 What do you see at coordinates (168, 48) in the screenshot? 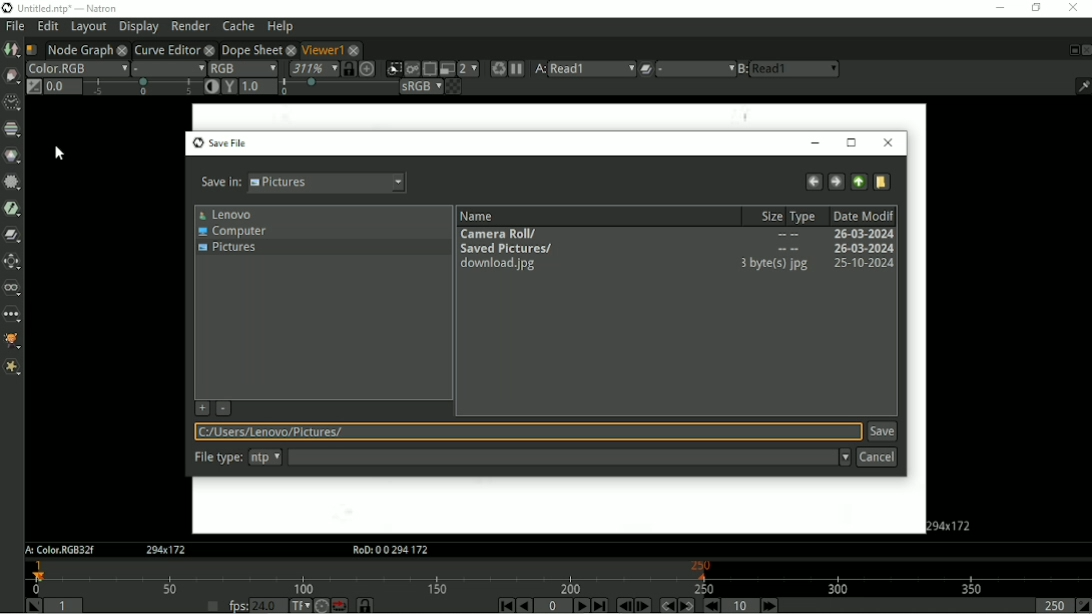
I see `Curve Editor` at bounding box center [168, 48].